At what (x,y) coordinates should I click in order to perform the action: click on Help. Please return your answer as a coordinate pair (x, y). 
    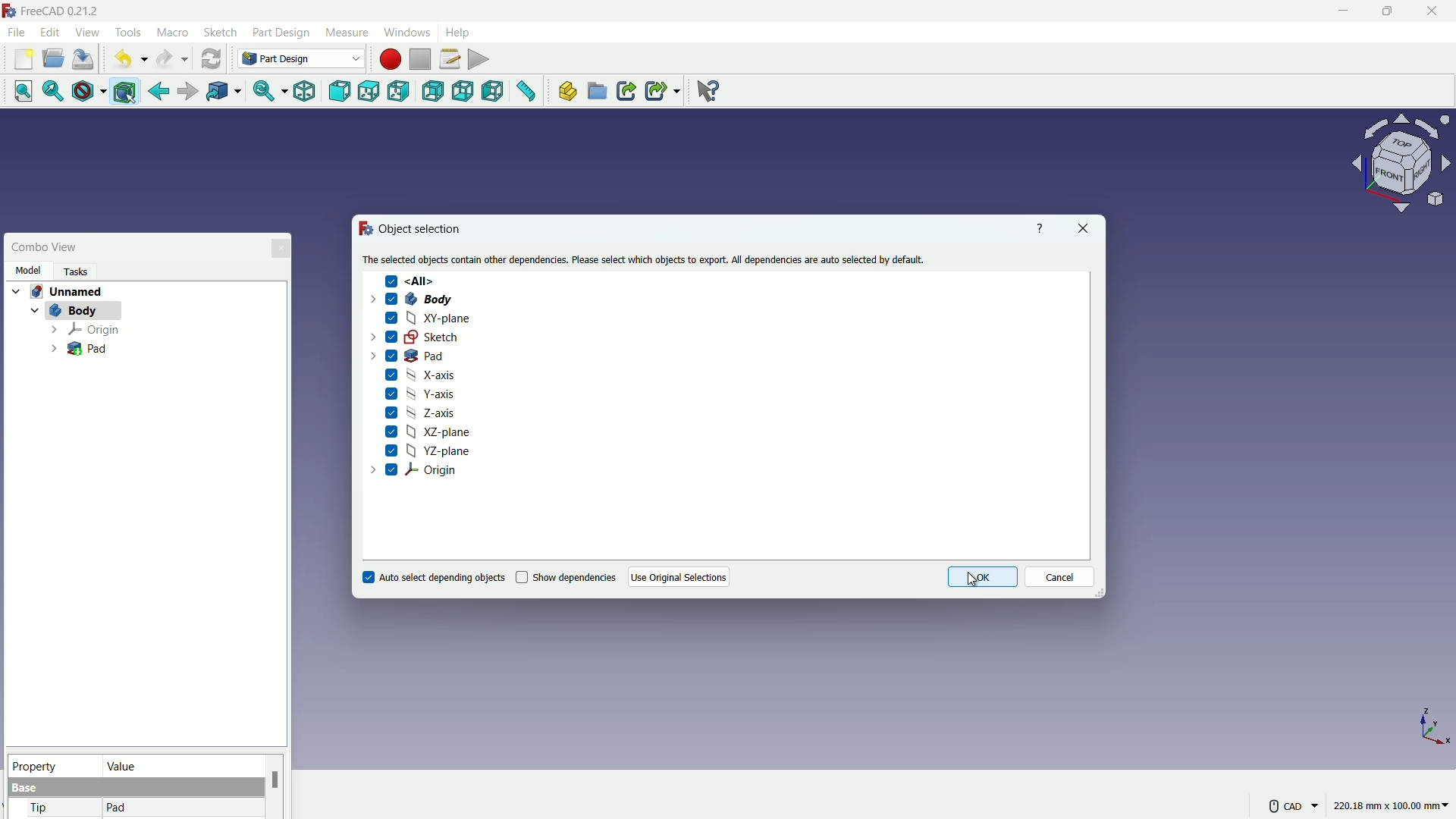
    Looking at the image, I should click on (1040, 228).